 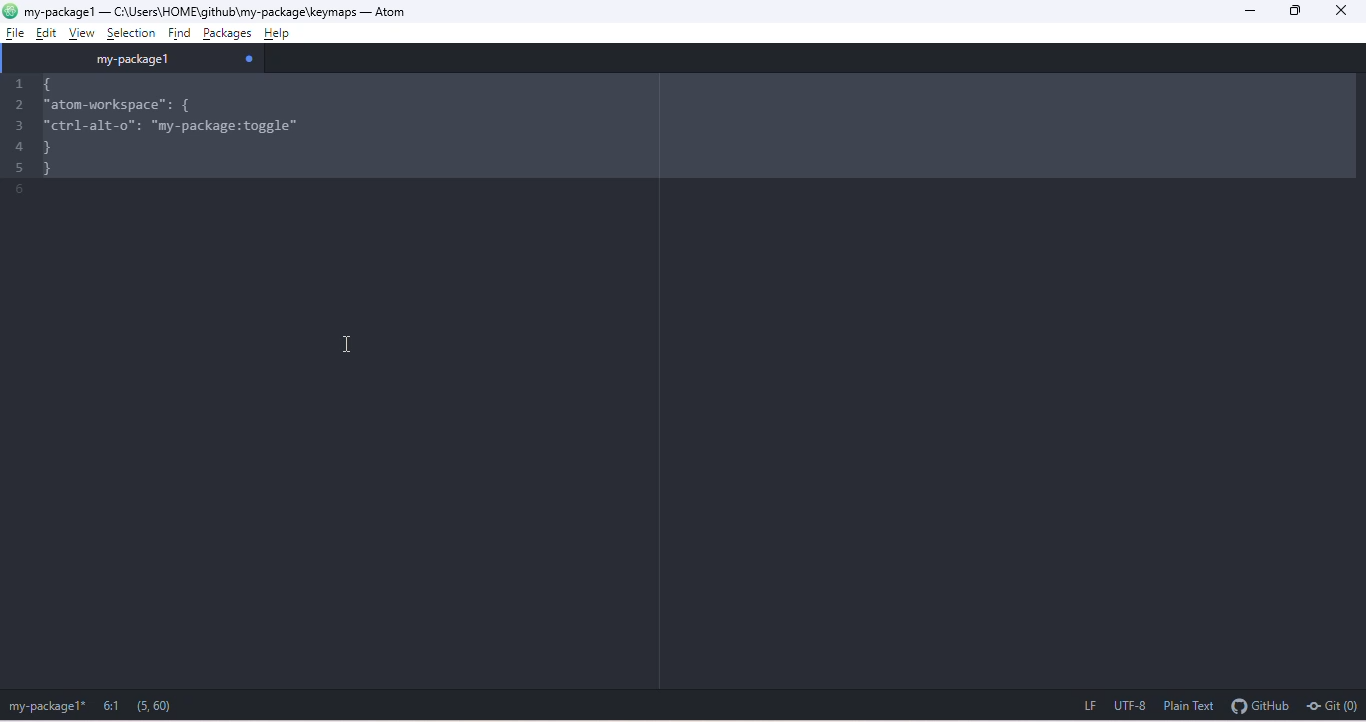 What do you see at coordinates (88, 33) in the screenshot?
I see `view` at bounding box center [88, 33].